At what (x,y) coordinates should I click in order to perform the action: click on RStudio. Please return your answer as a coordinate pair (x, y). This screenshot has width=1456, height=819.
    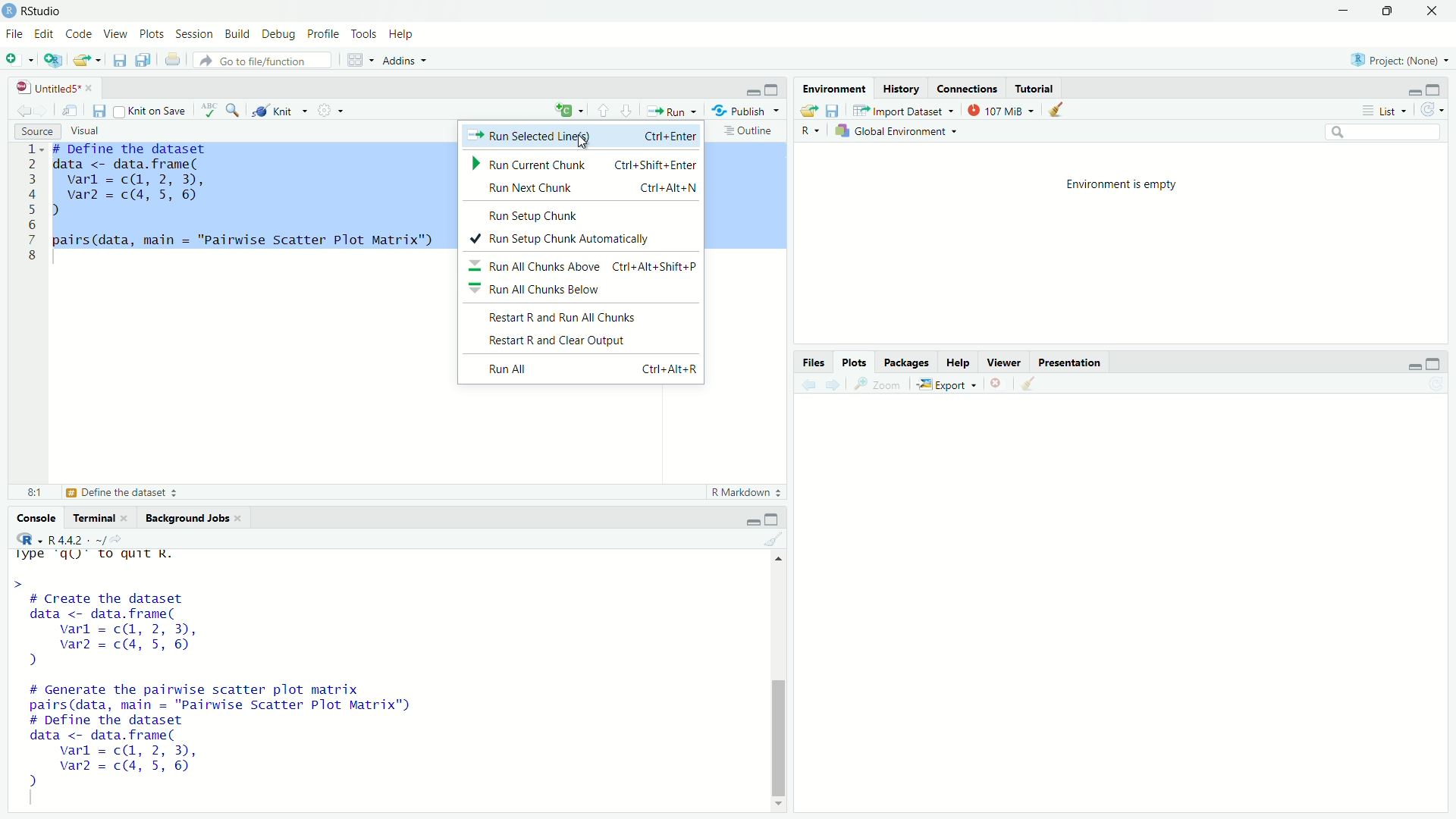
    Looking at the image, I should click on (38, 11).